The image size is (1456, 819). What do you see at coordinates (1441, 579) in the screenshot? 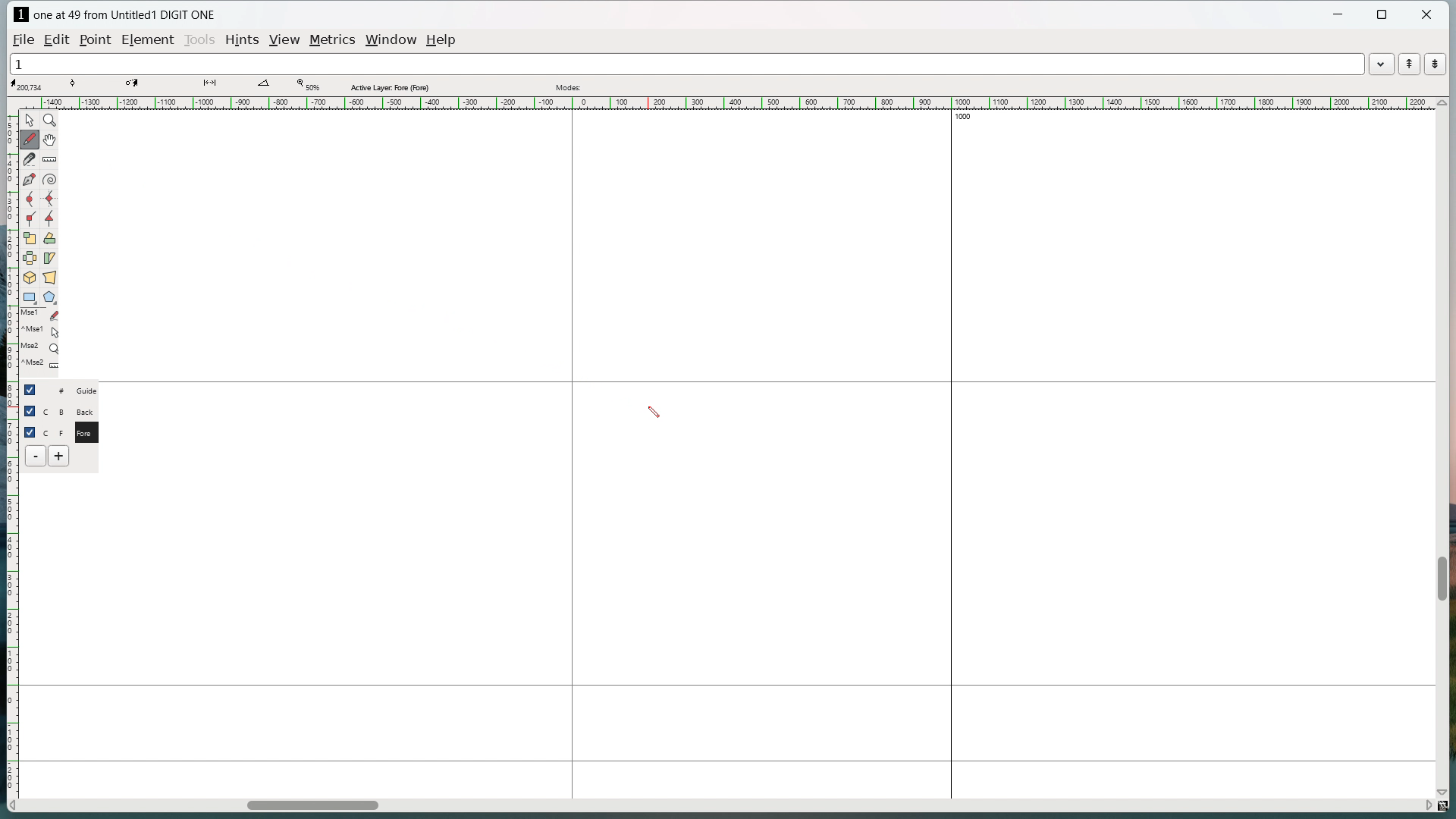
I see `vertical scrollbar` at bounding box center [1441, 579].